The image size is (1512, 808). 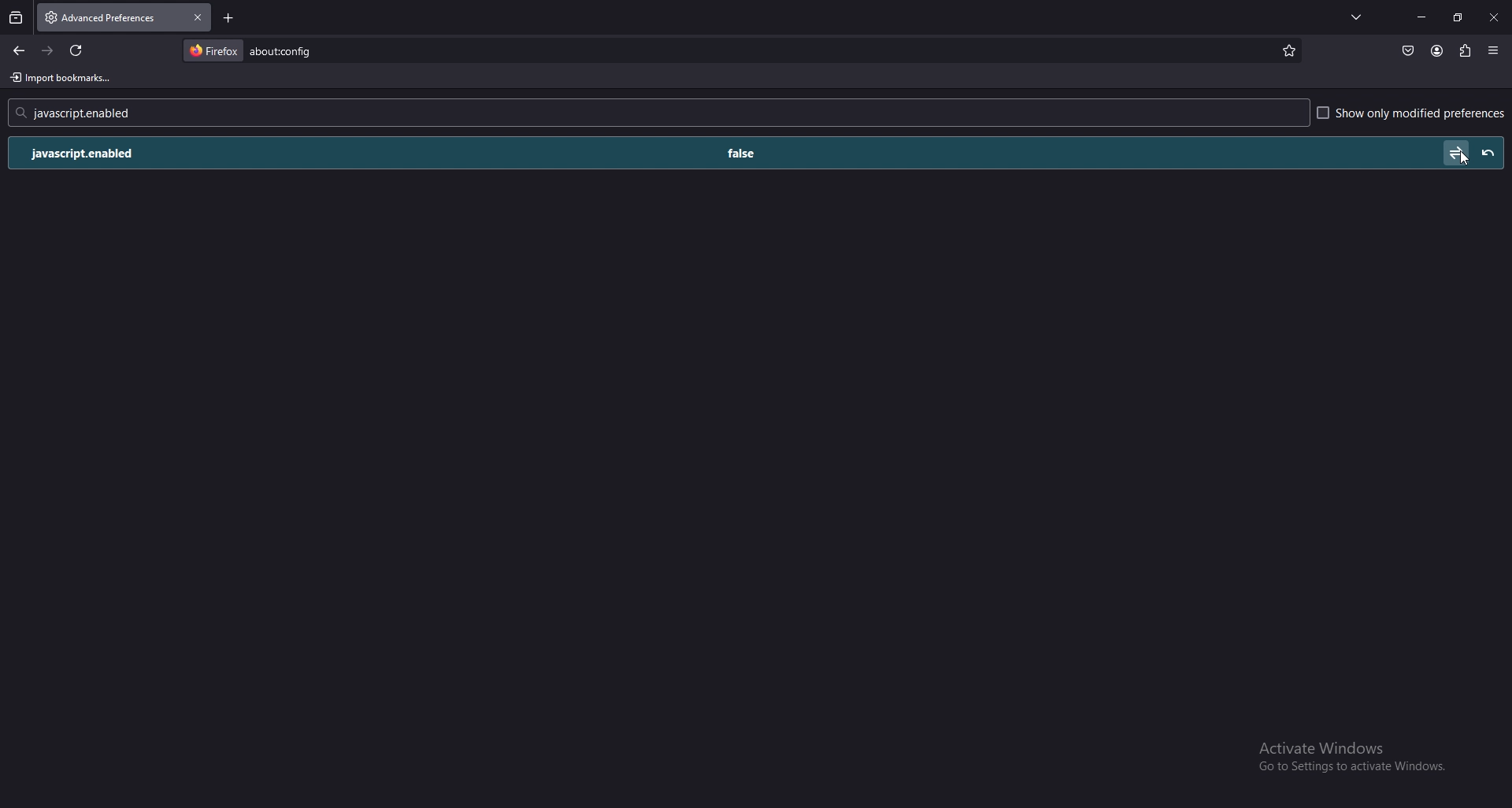 I want to click on change value, so click(x=1453, y=150).